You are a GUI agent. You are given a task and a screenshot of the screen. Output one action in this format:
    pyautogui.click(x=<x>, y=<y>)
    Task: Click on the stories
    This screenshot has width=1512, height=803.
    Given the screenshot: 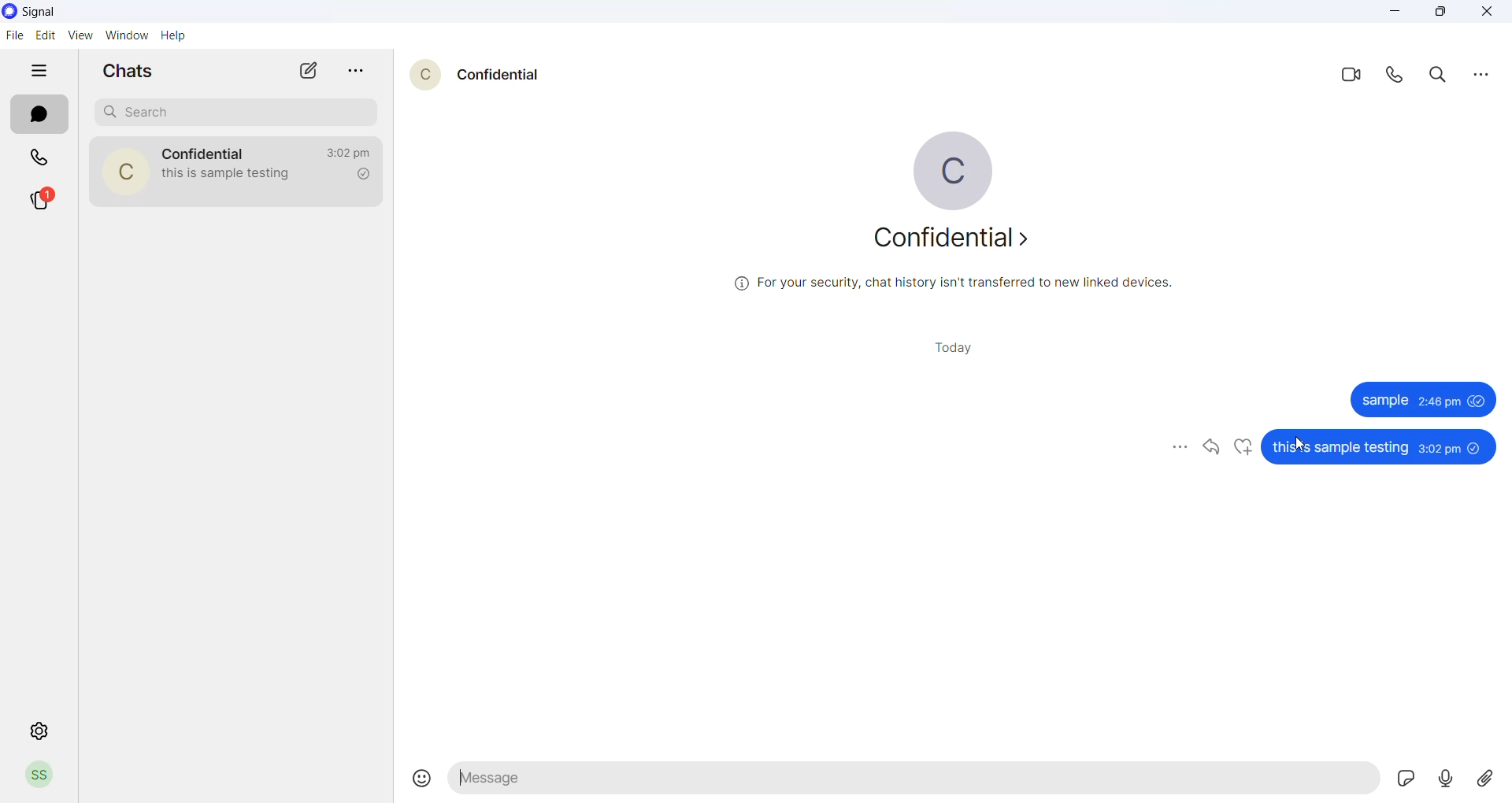 What is the action you would take?
    pyautogui.click(x=46, y=201)
    